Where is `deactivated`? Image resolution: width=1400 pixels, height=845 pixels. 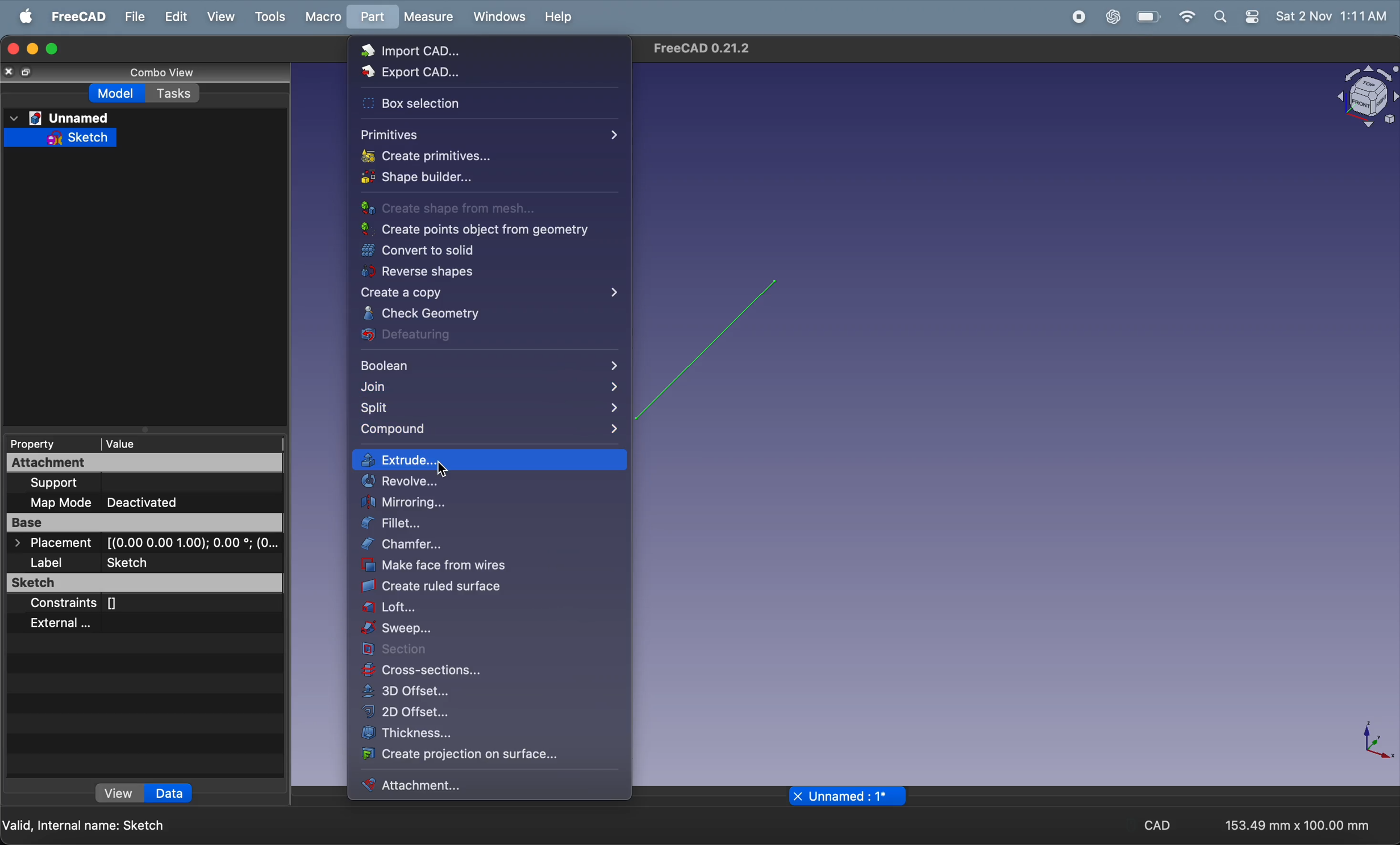
deactivated is located at coordinates (149, 502).